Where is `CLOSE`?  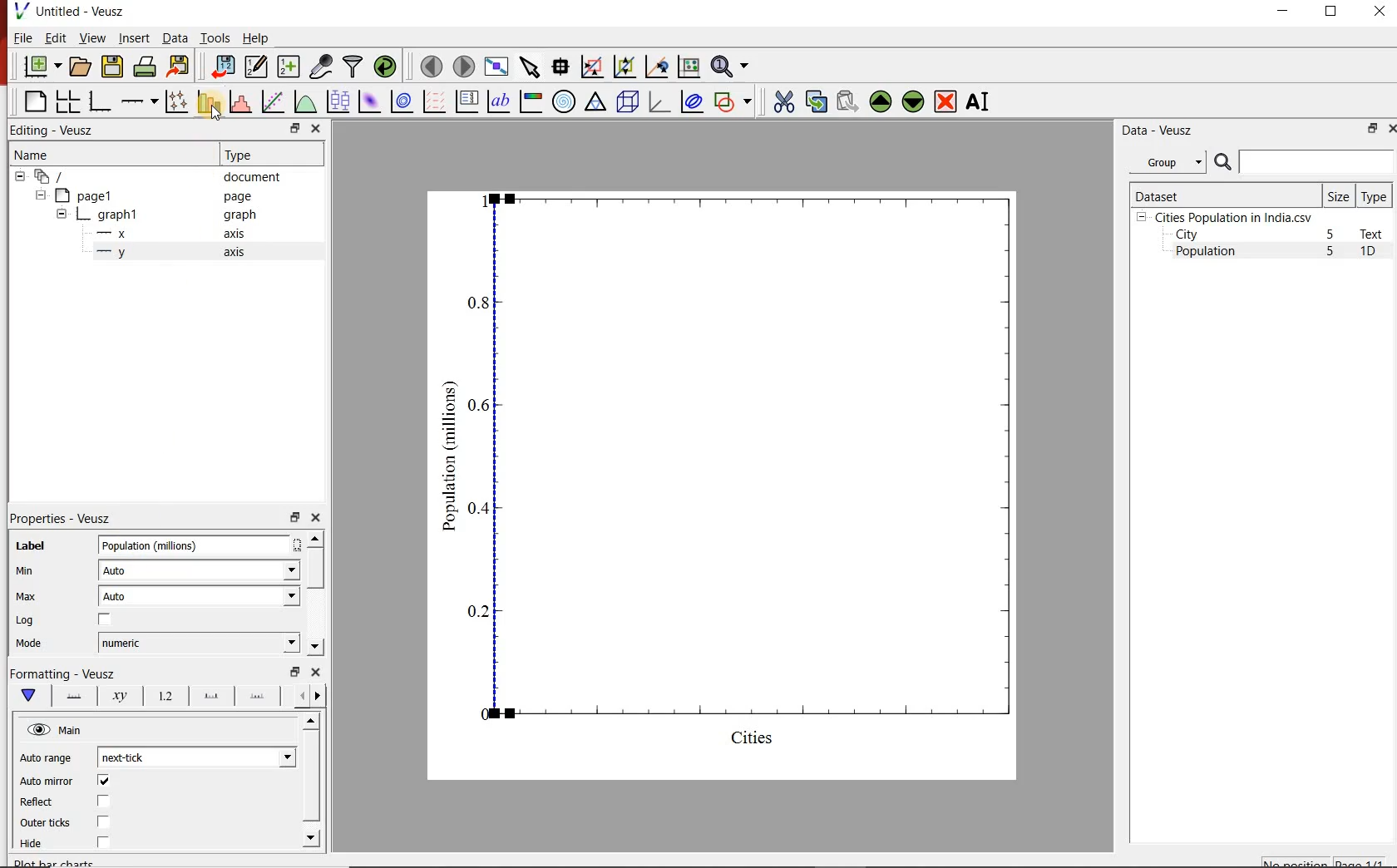
CLOSE is located at coordinates (1378, 13).